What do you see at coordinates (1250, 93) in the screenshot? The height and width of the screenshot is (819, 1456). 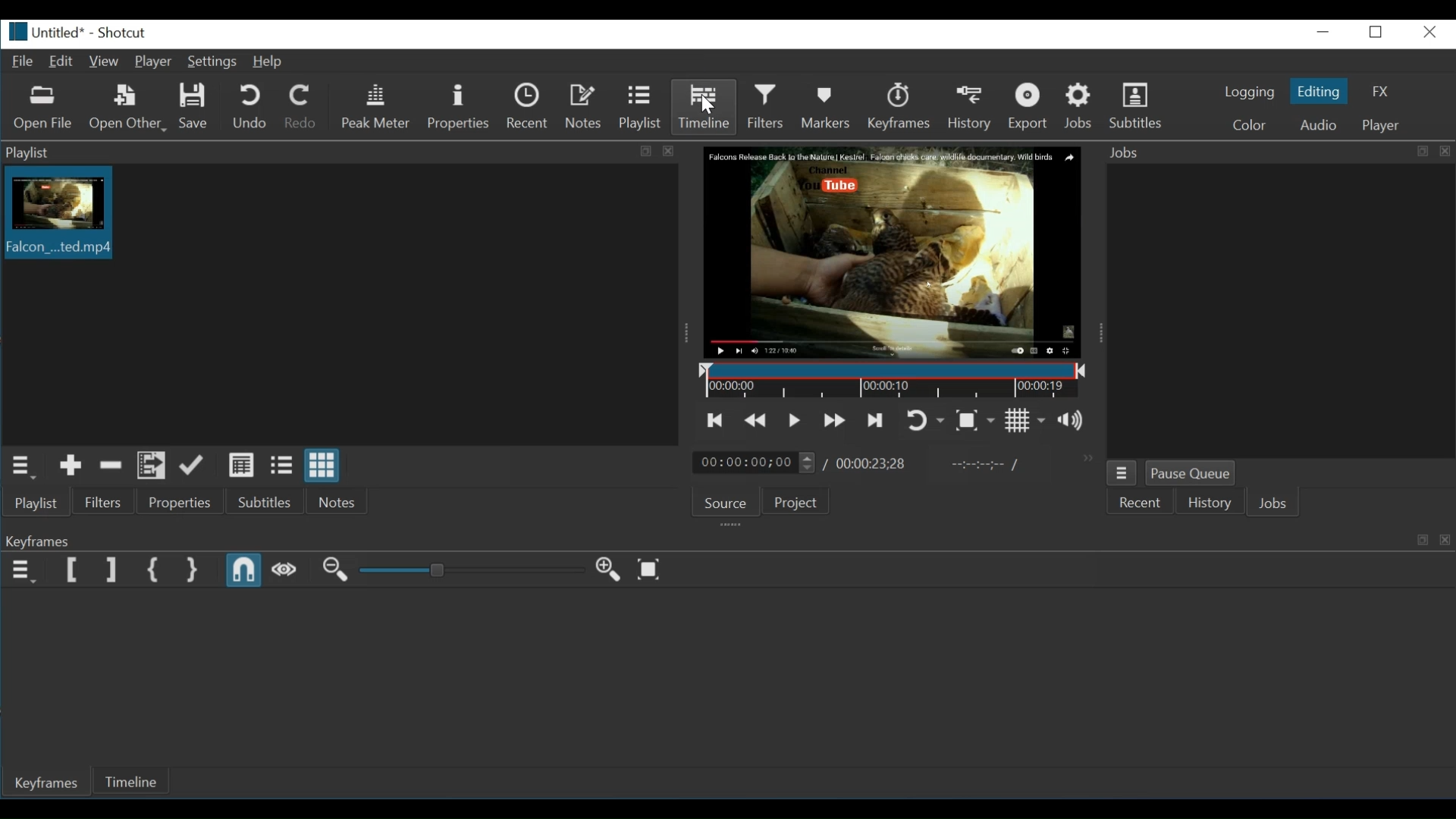 I see `logging` at bounding box center [1250, 93].